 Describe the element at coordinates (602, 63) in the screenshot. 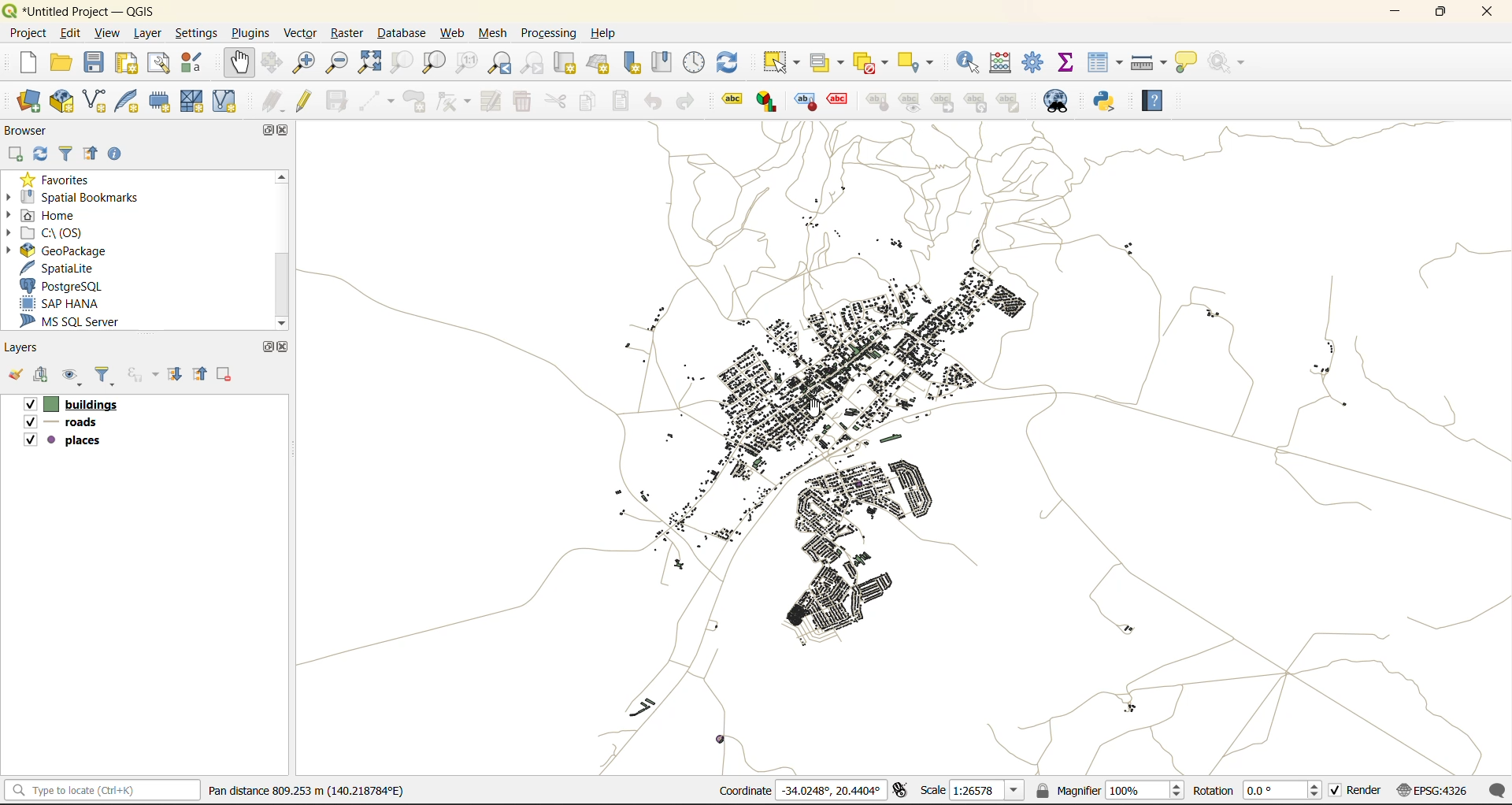

I see `new 3d map view` at that location.